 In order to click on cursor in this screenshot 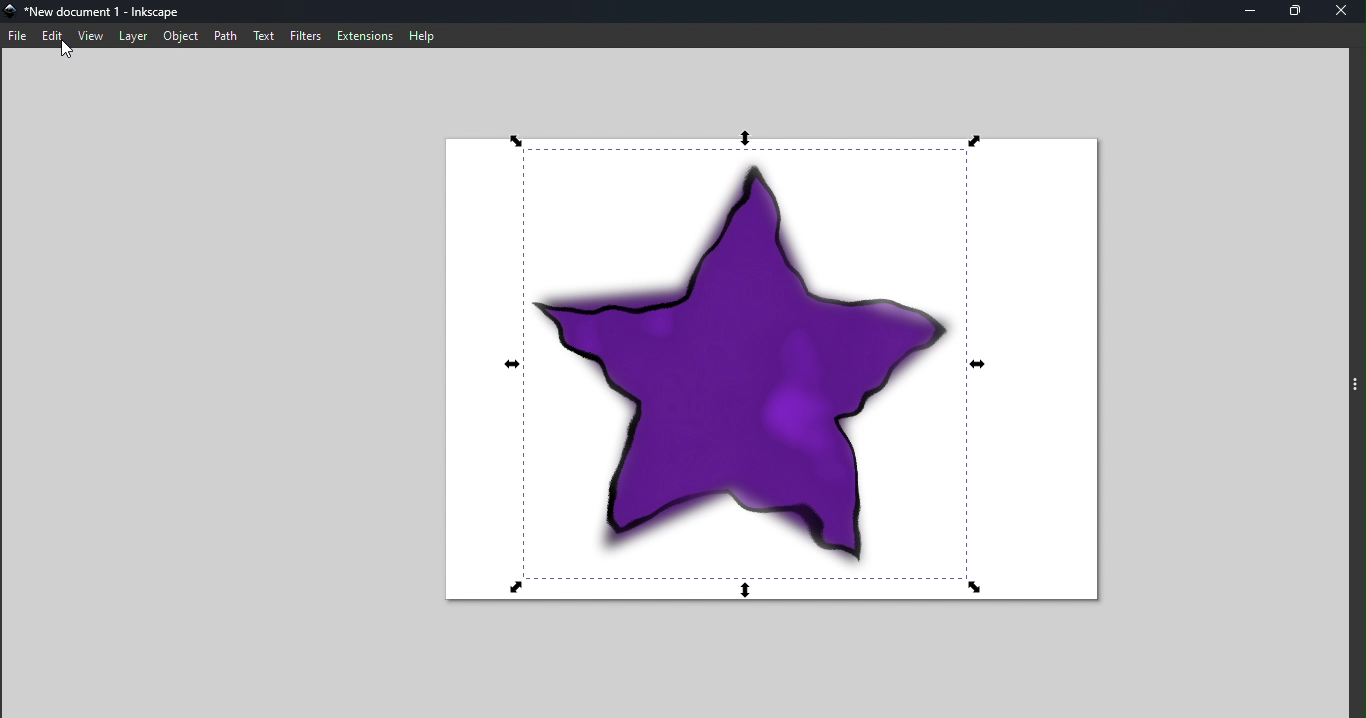, I will do `click(67, 51)`.